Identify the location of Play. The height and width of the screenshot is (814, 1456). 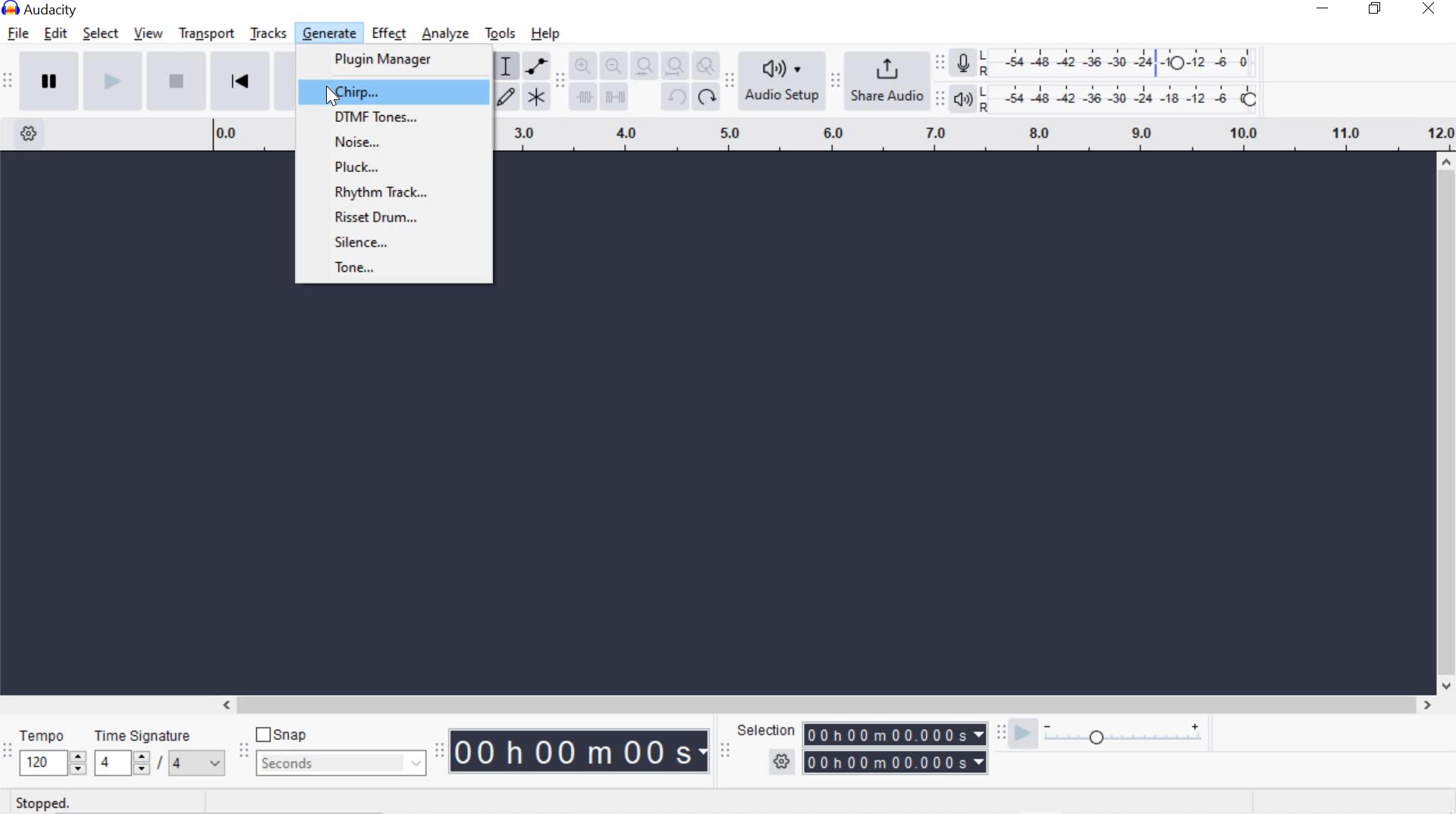
(113, 80).